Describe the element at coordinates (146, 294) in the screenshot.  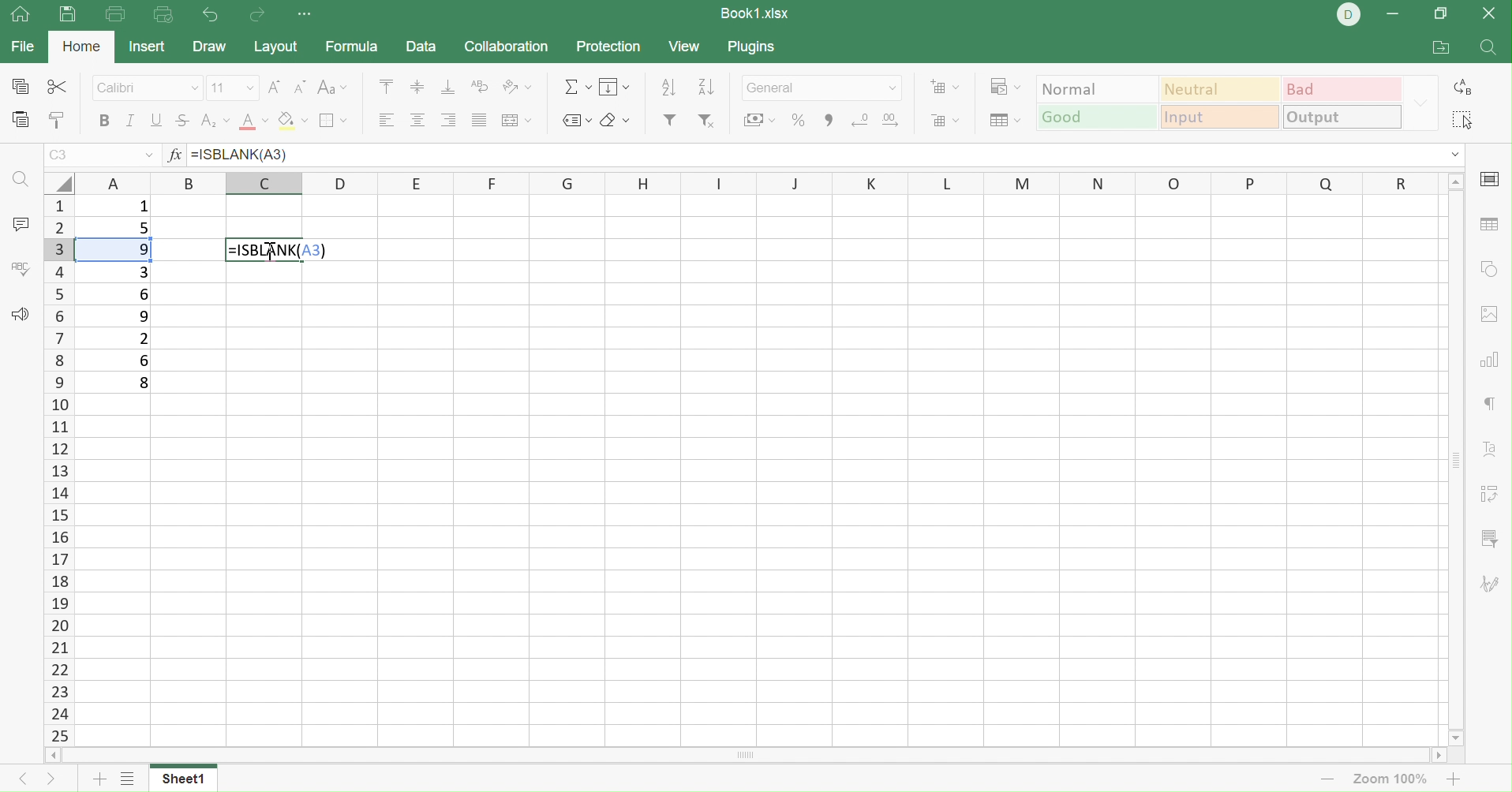
I see `6` at that location.